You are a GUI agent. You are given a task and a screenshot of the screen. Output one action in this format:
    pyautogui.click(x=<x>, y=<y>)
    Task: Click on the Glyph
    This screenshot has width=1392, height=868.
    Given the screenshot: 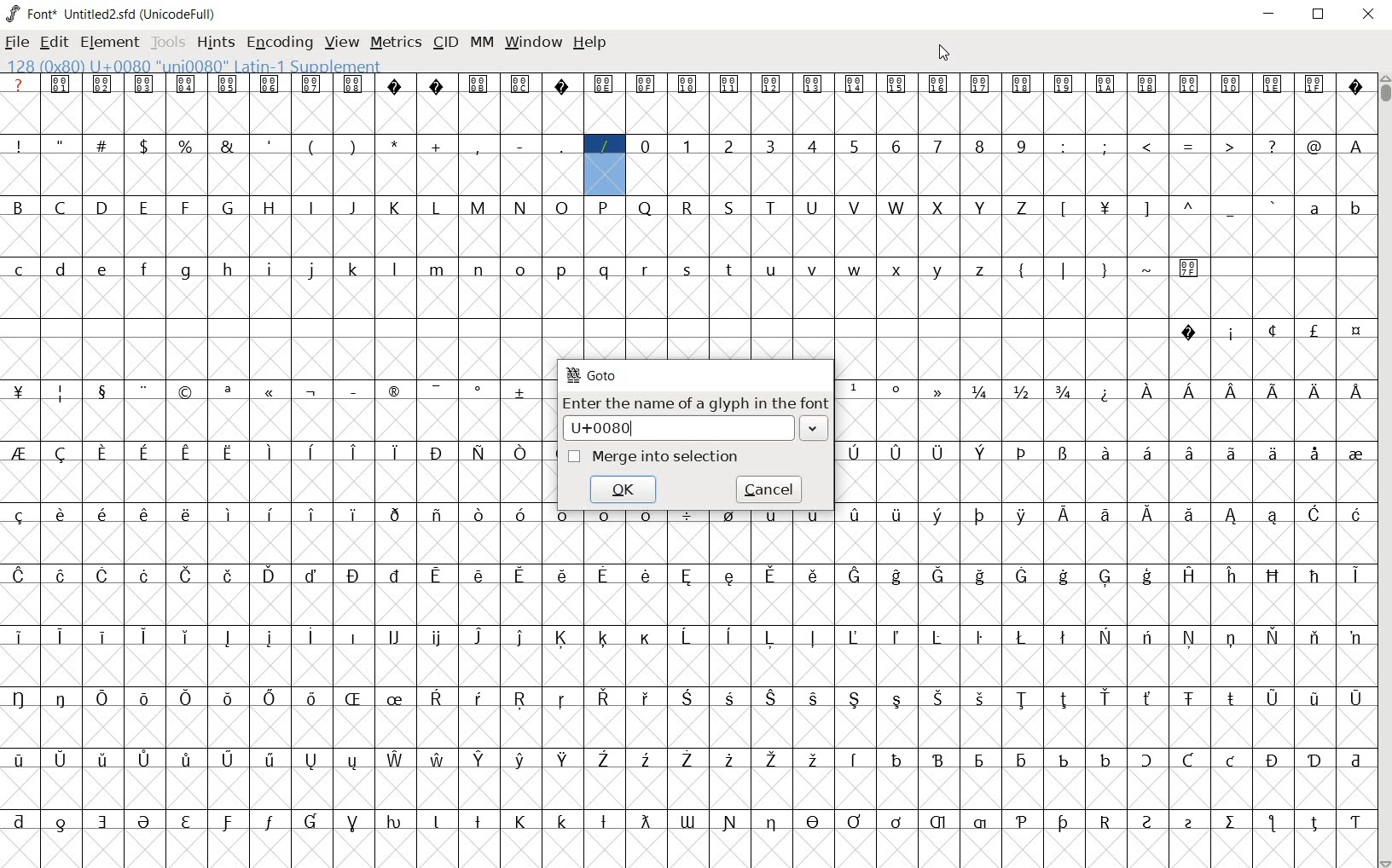 What is the action you would take?
    pyautogui.click(x=19, y=84)
    